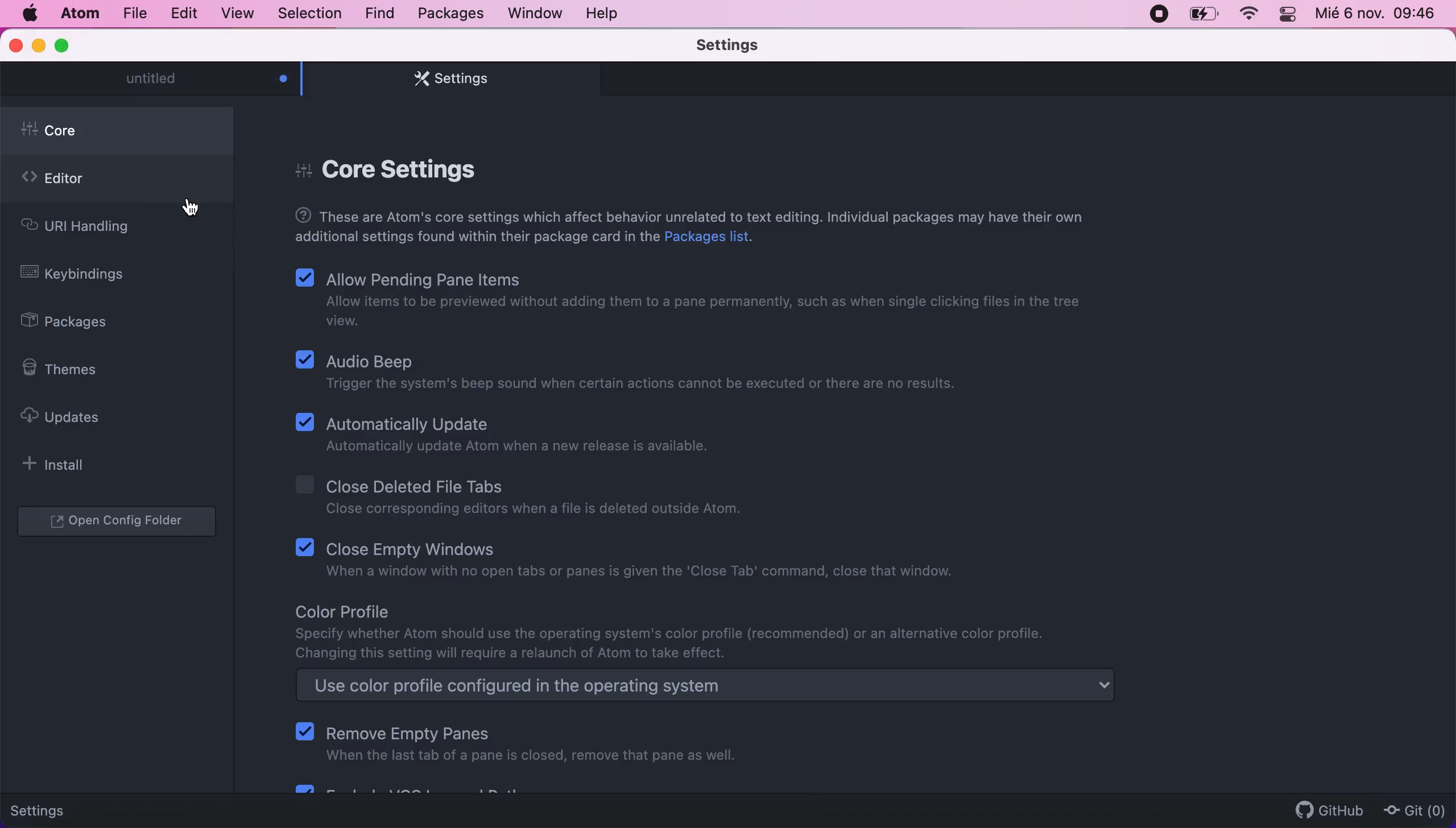  Describe the element at coordinates (638, 371) in the screenshot. I see `Audio Beep | Trigger the system's beep sound when certain actions cannot be executed or there are no results.` at that location.